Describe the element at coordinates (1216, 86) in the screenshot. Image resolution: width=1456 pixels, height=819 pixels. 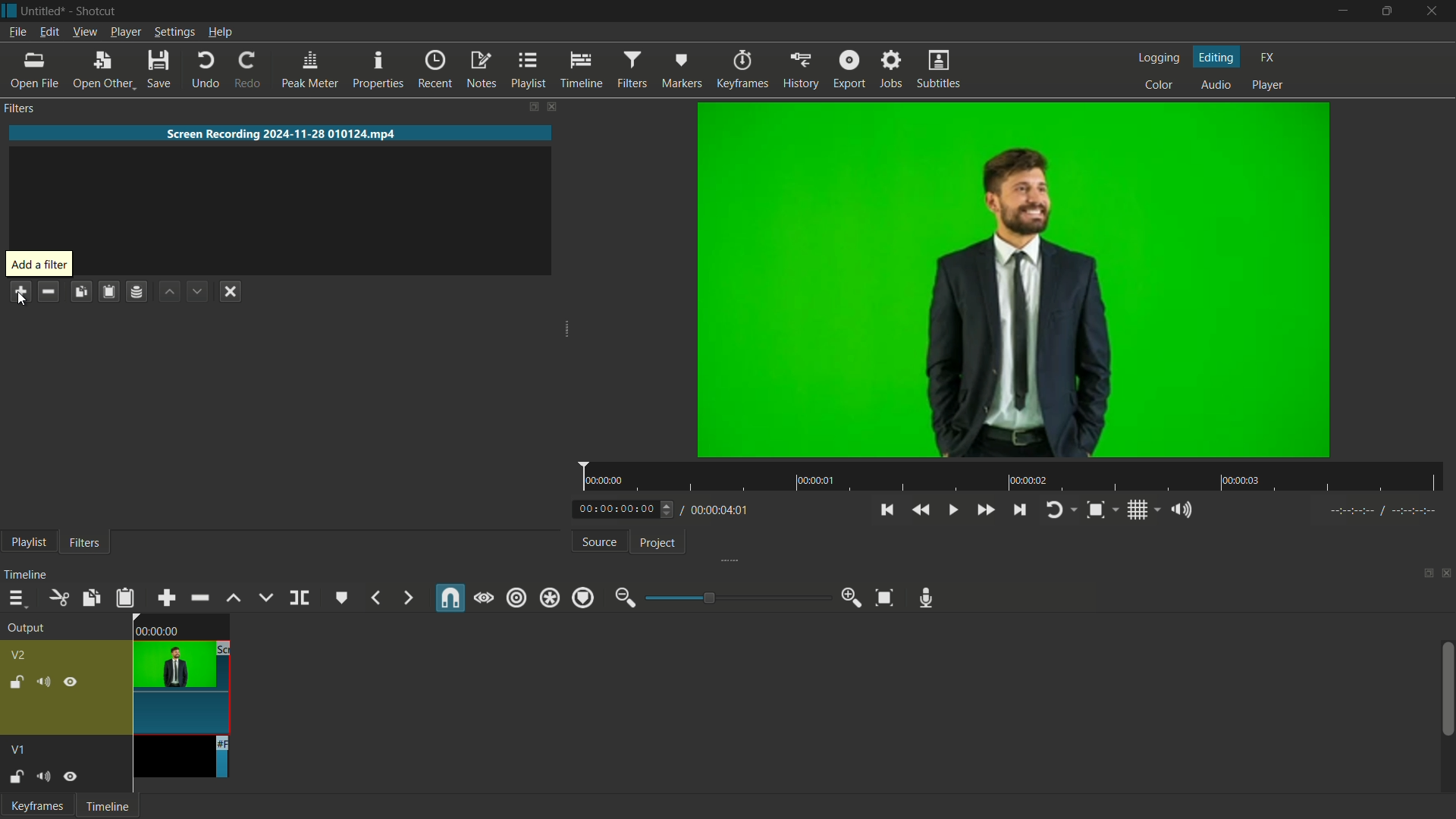
I see `audio` at that location.